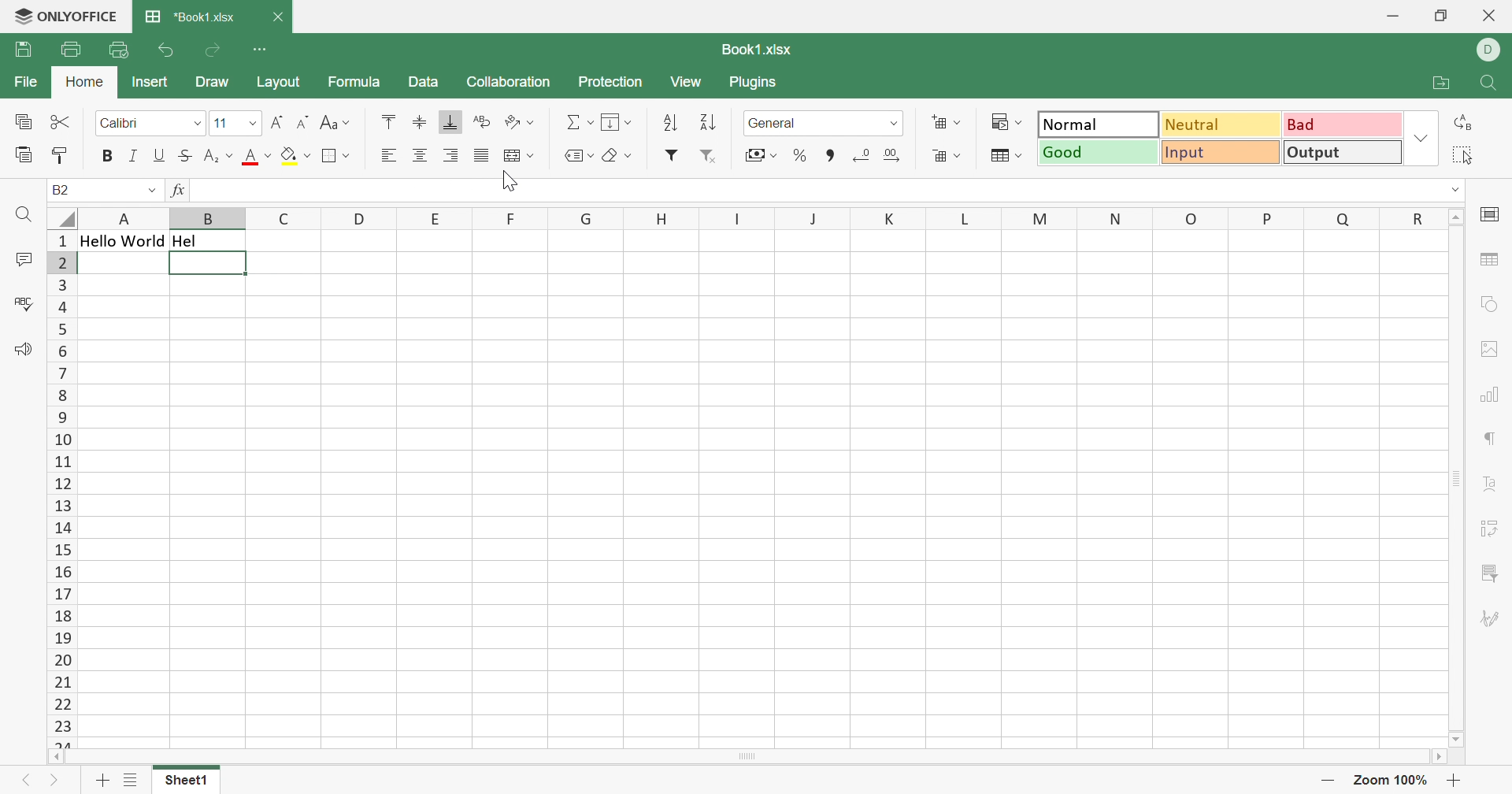 Image resolution: width=1512 pixels, height=794 pixels. Describe the element at coordinates (234, 124) in the screenshot. I see `Font size` at that location.